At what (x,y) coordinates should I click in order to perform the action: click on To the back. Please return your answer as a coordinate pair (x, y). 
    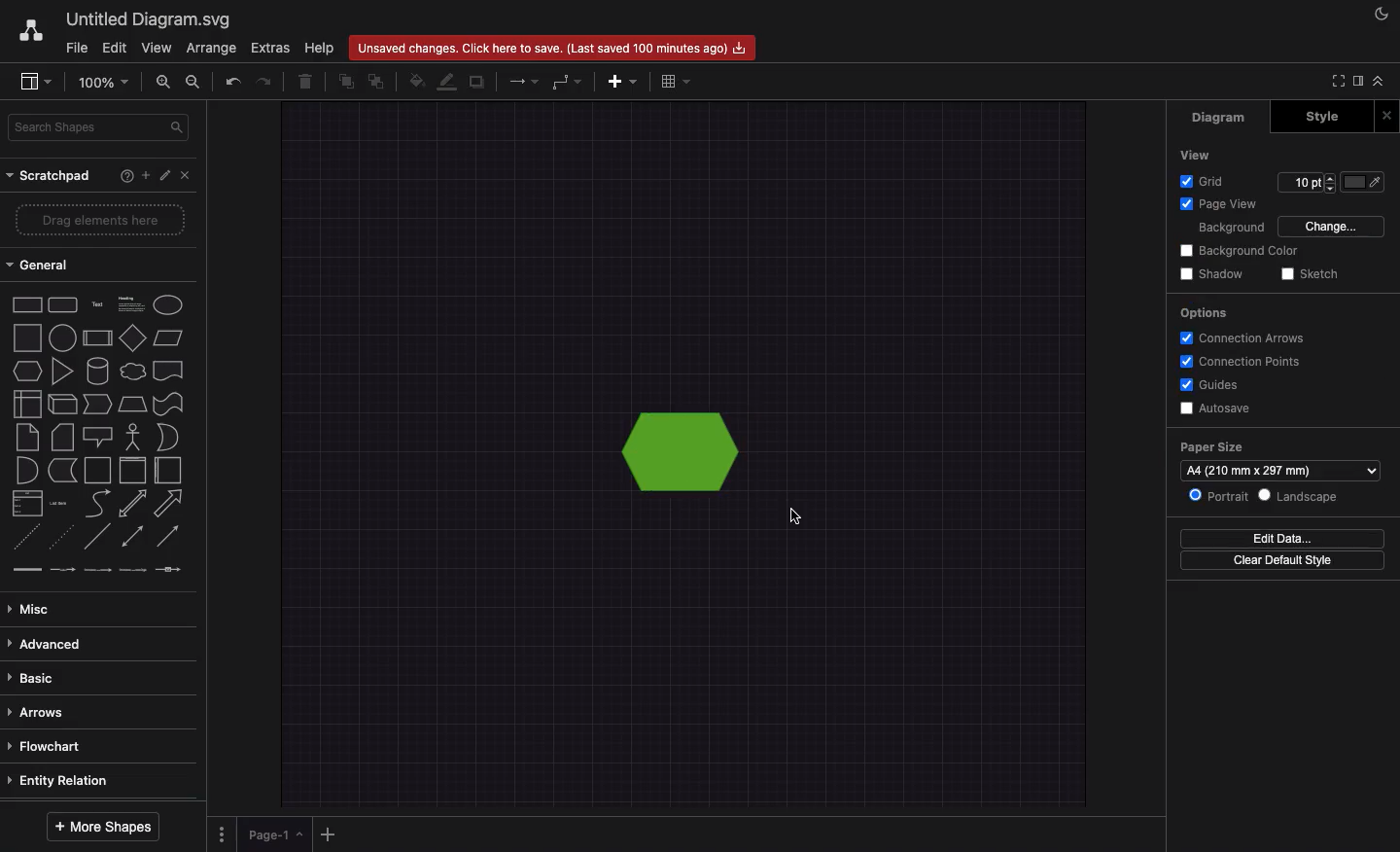
    Looking at the image, I should click on (376, 81).